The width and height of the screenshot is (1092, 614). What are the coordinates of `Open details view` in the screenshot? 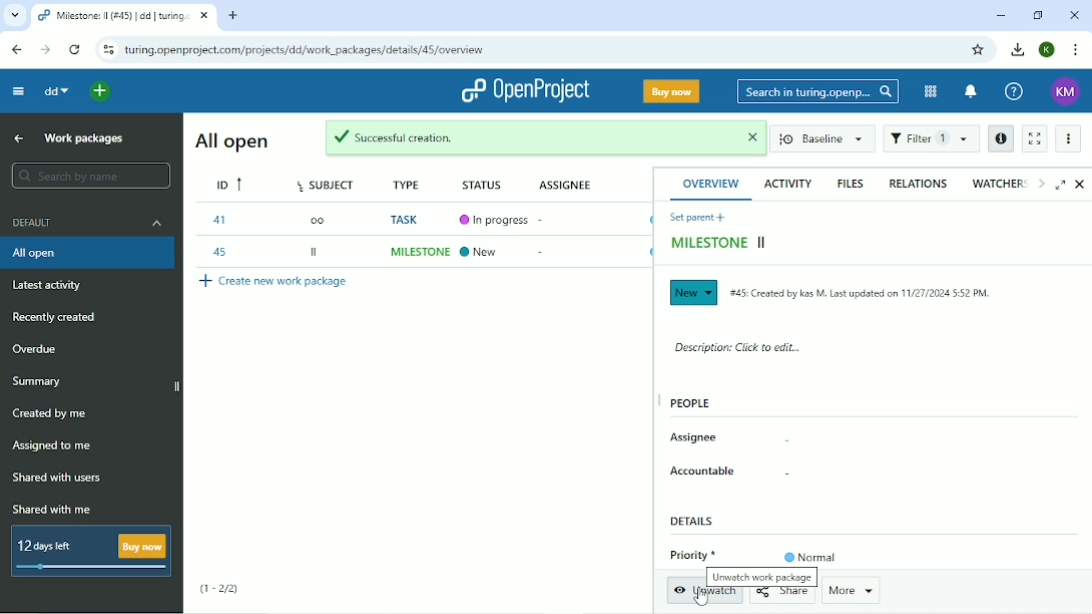 It's located at (1000, 139).